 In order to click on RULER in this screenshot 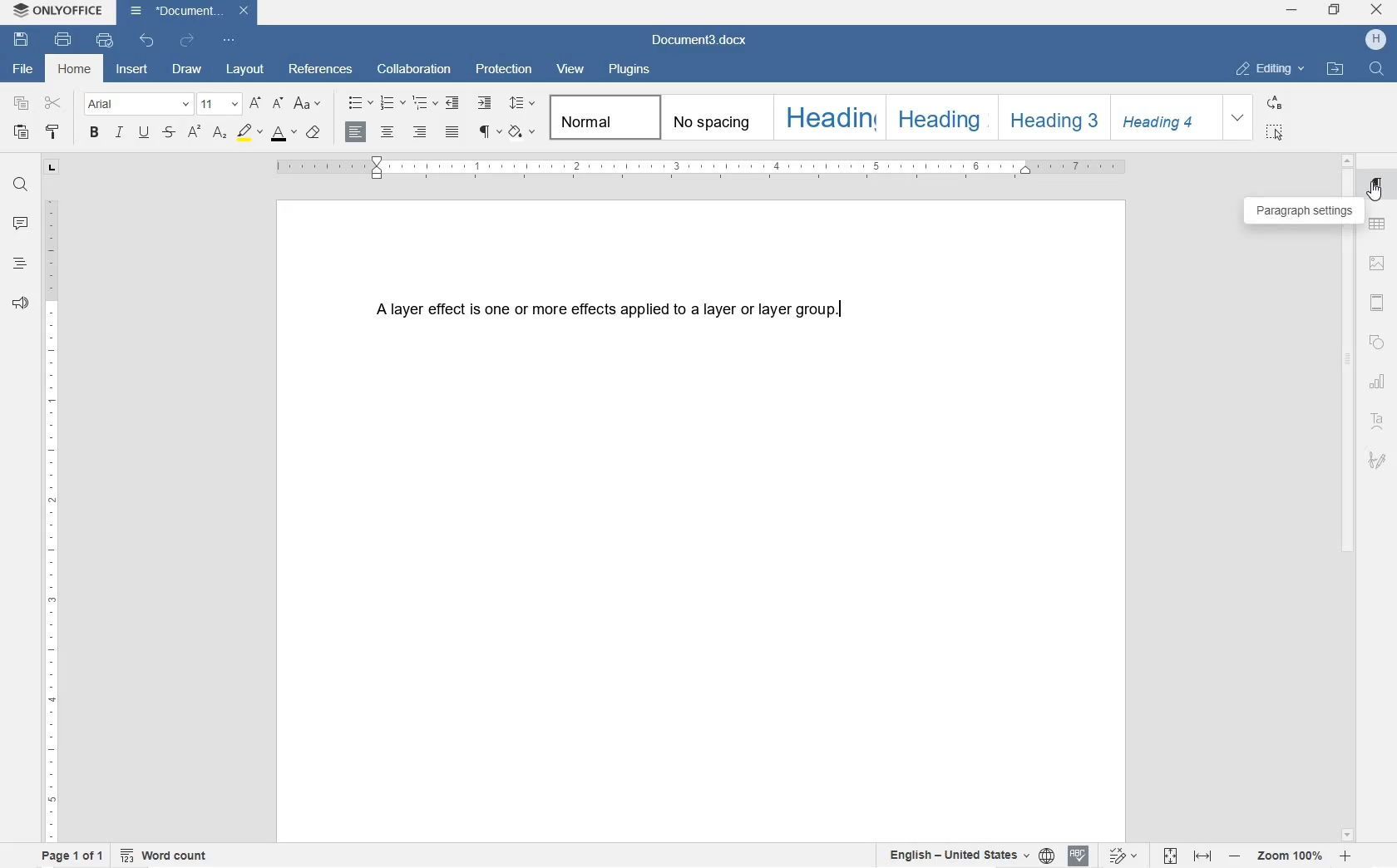, I will do `click(52, 518)`.